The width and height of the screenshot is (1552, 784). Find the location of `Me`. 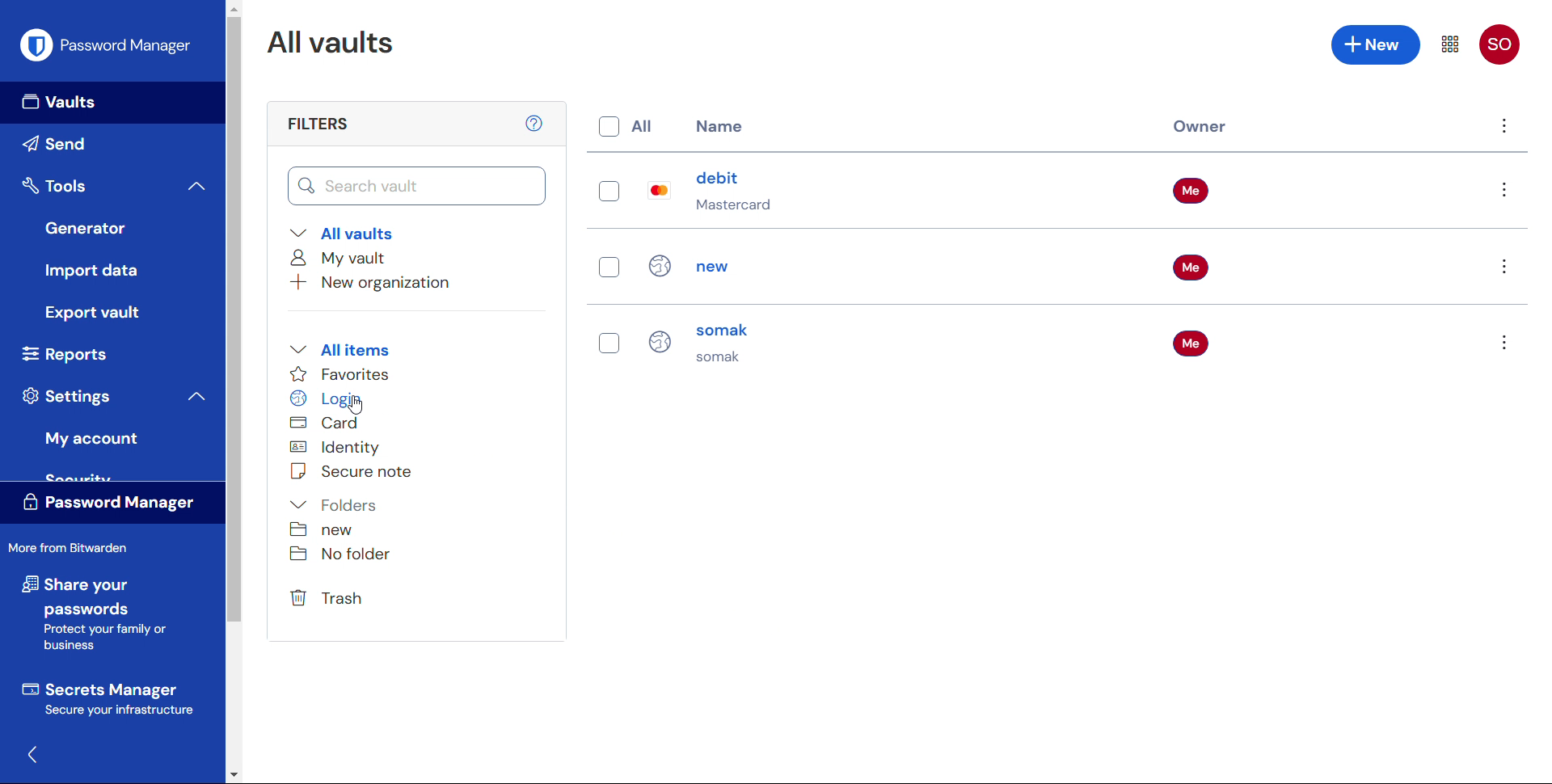

Me is located at coordinates (1190, 188).